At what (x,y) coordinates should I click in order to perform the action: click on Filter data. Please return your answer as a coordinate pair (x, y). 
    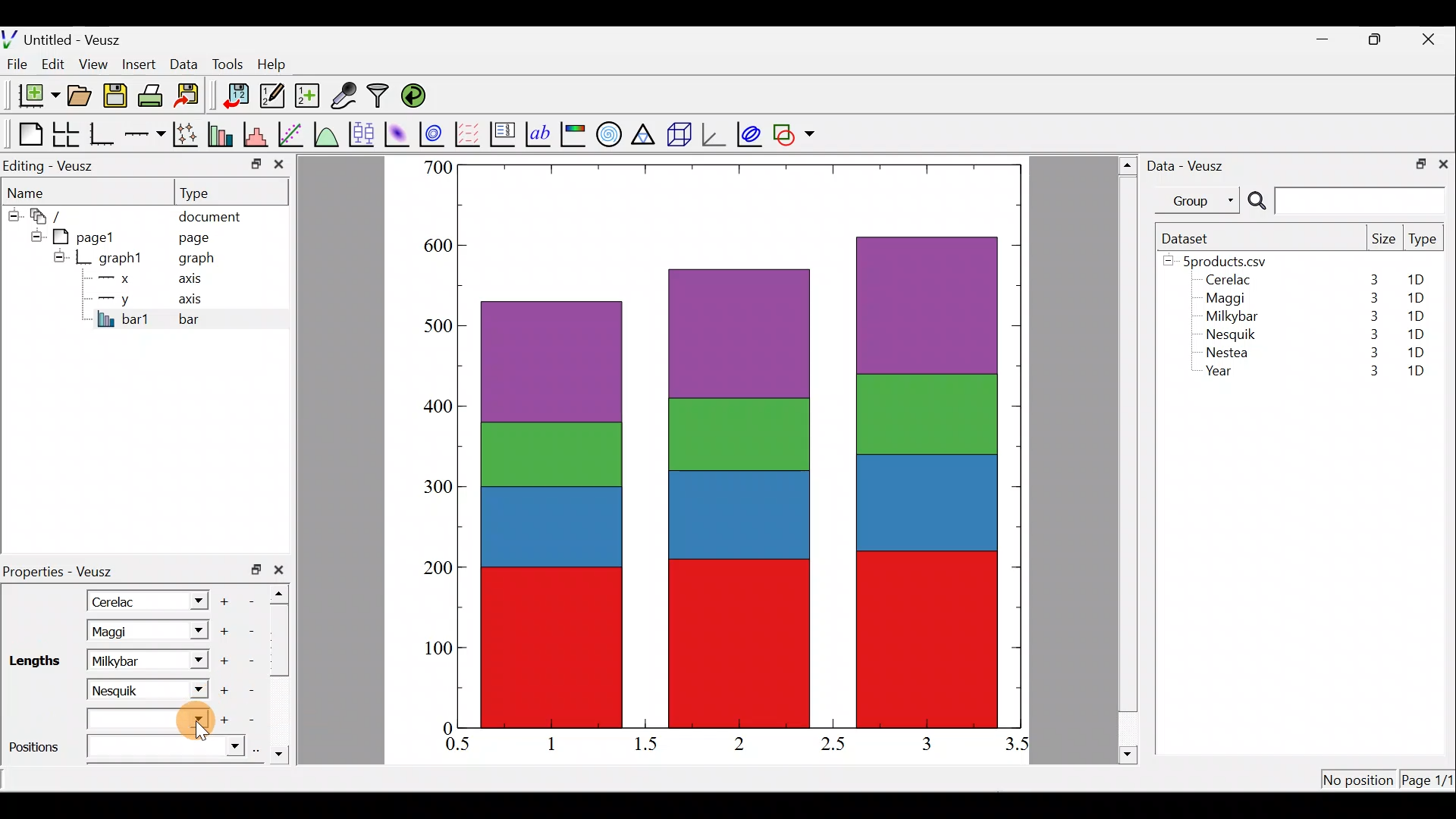
    Looking at the image, I should click on (381, 97).